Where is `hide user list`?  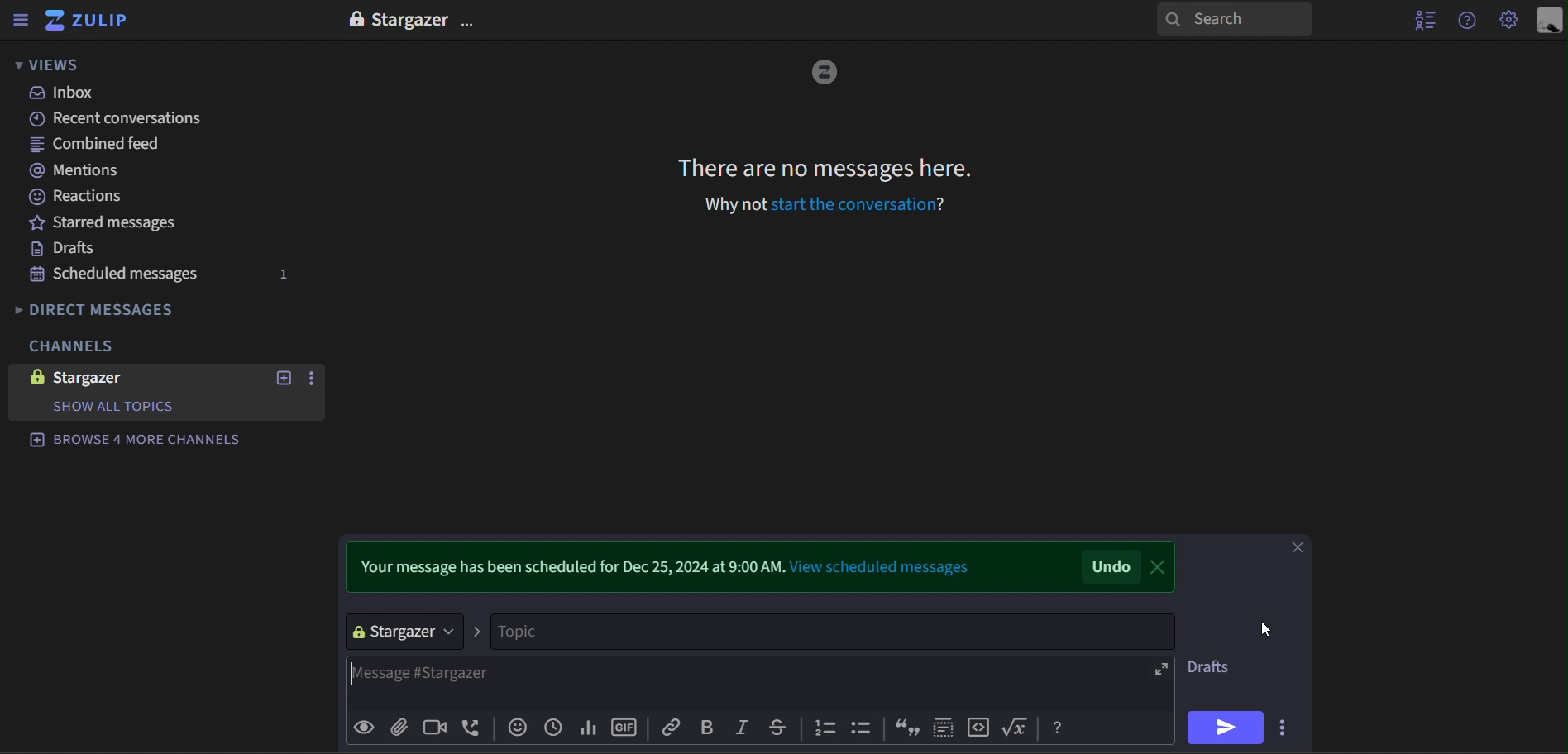 hide user list is located at coordinates (1422, 20).